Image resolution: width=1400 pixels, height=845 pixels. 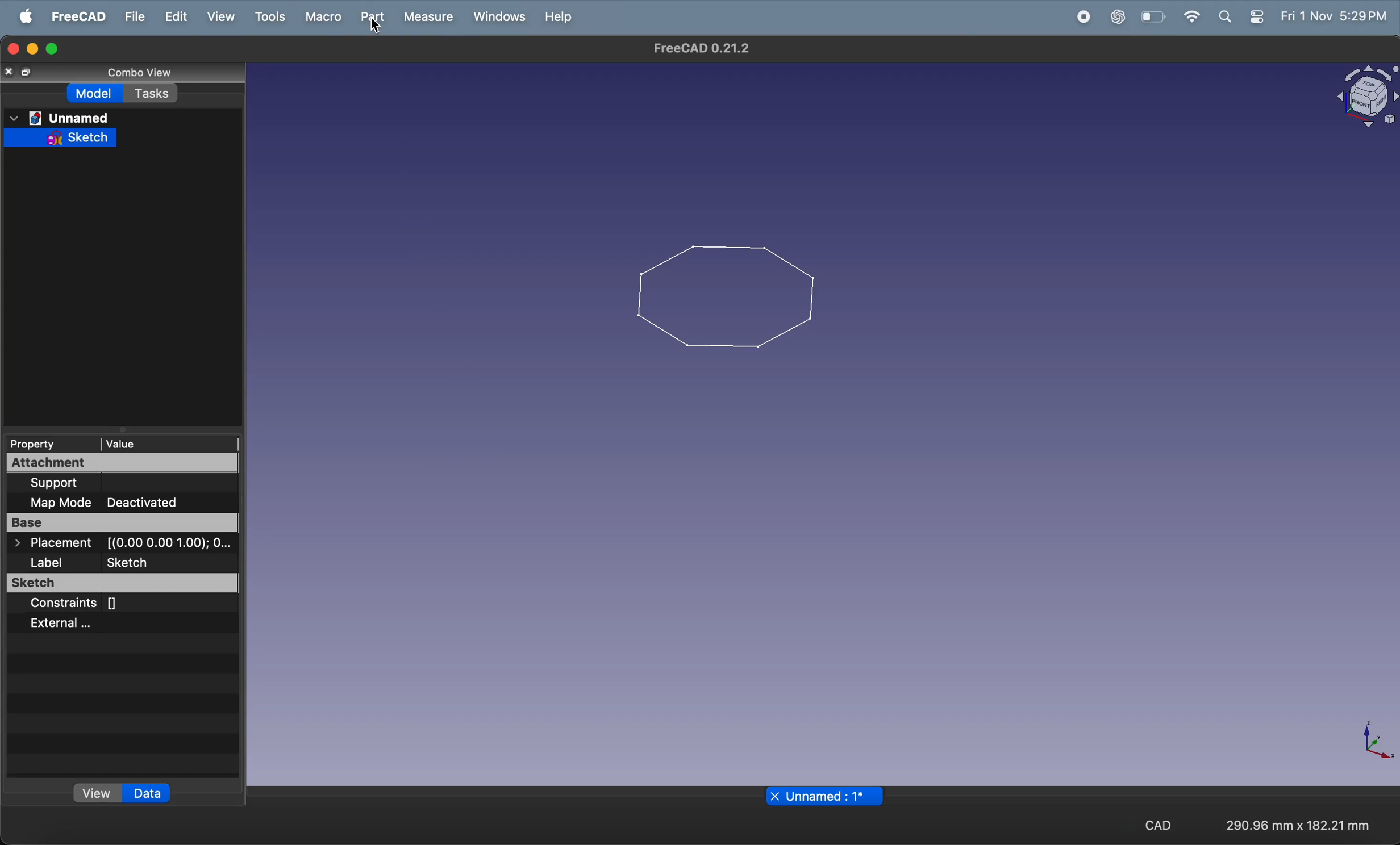 What do you see at coordinates (826, 797) in the screenshot?
I see `unnamed page name` at bounding box center [826, 797].